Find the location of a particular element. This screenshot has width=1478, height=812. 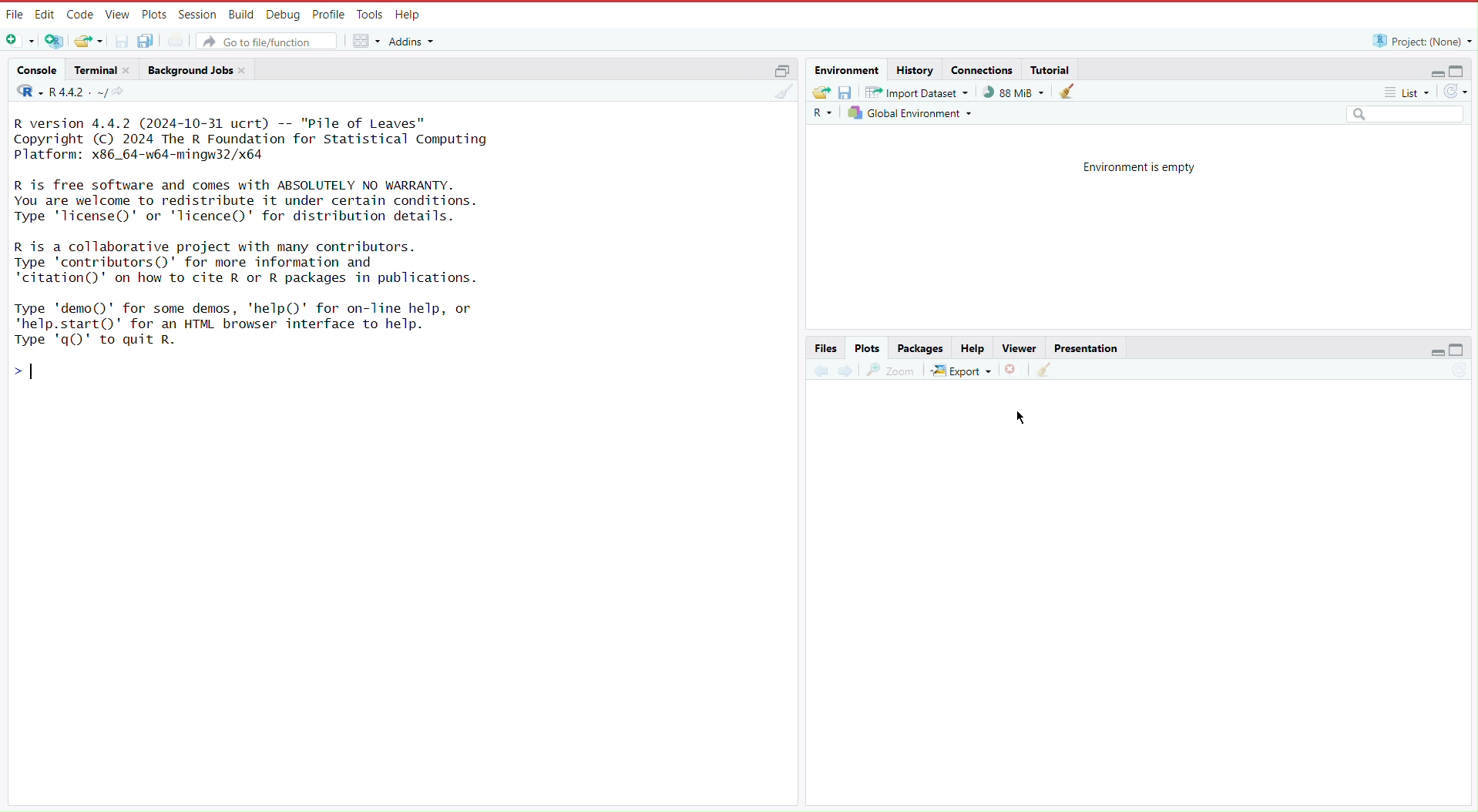

Help is located at coordinates (408, 15).